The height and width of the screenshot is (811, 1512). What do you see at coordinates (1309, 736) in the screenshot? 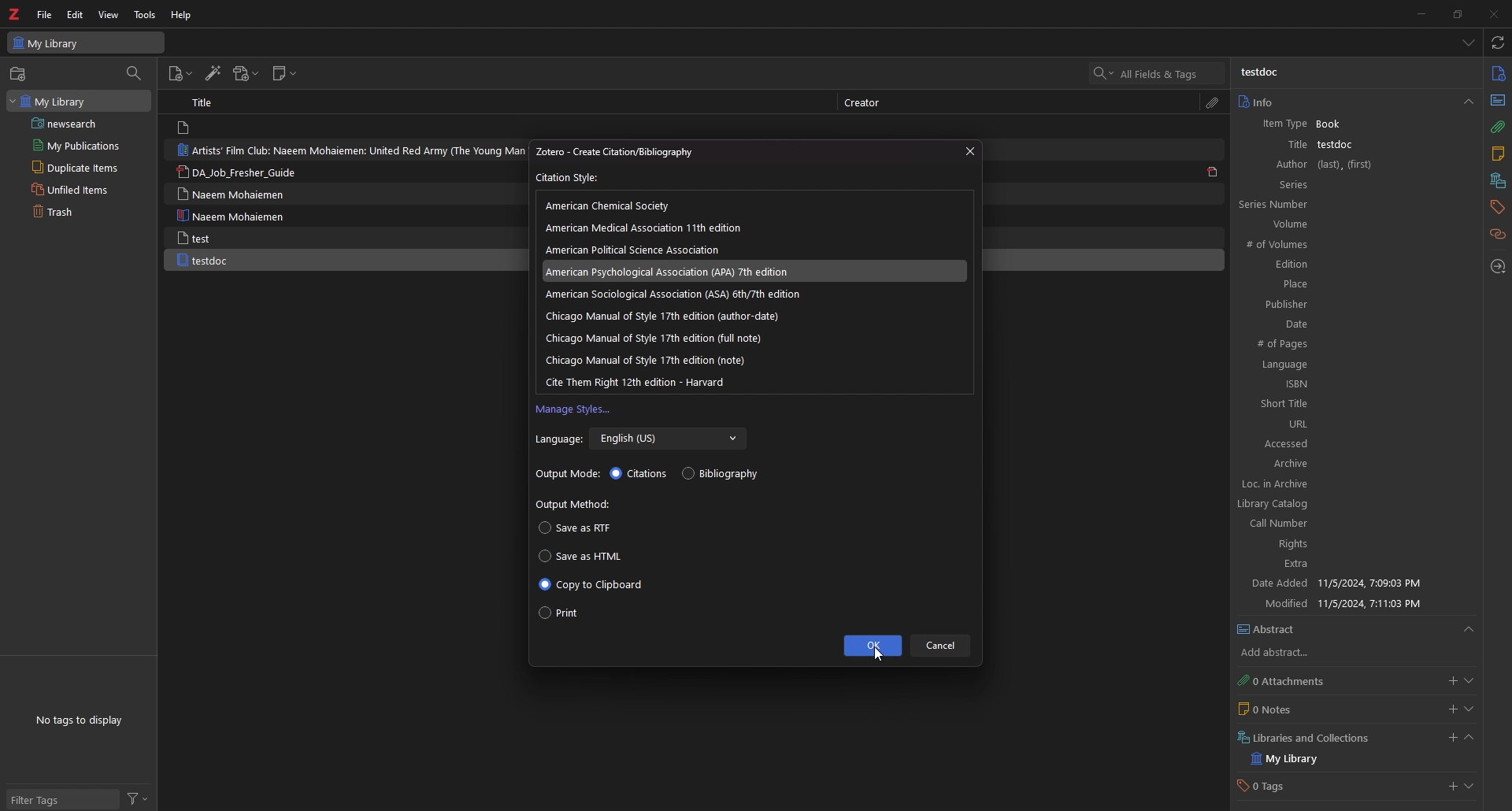
I see `Libraries and Collections` at bounding box center [1309, 736].